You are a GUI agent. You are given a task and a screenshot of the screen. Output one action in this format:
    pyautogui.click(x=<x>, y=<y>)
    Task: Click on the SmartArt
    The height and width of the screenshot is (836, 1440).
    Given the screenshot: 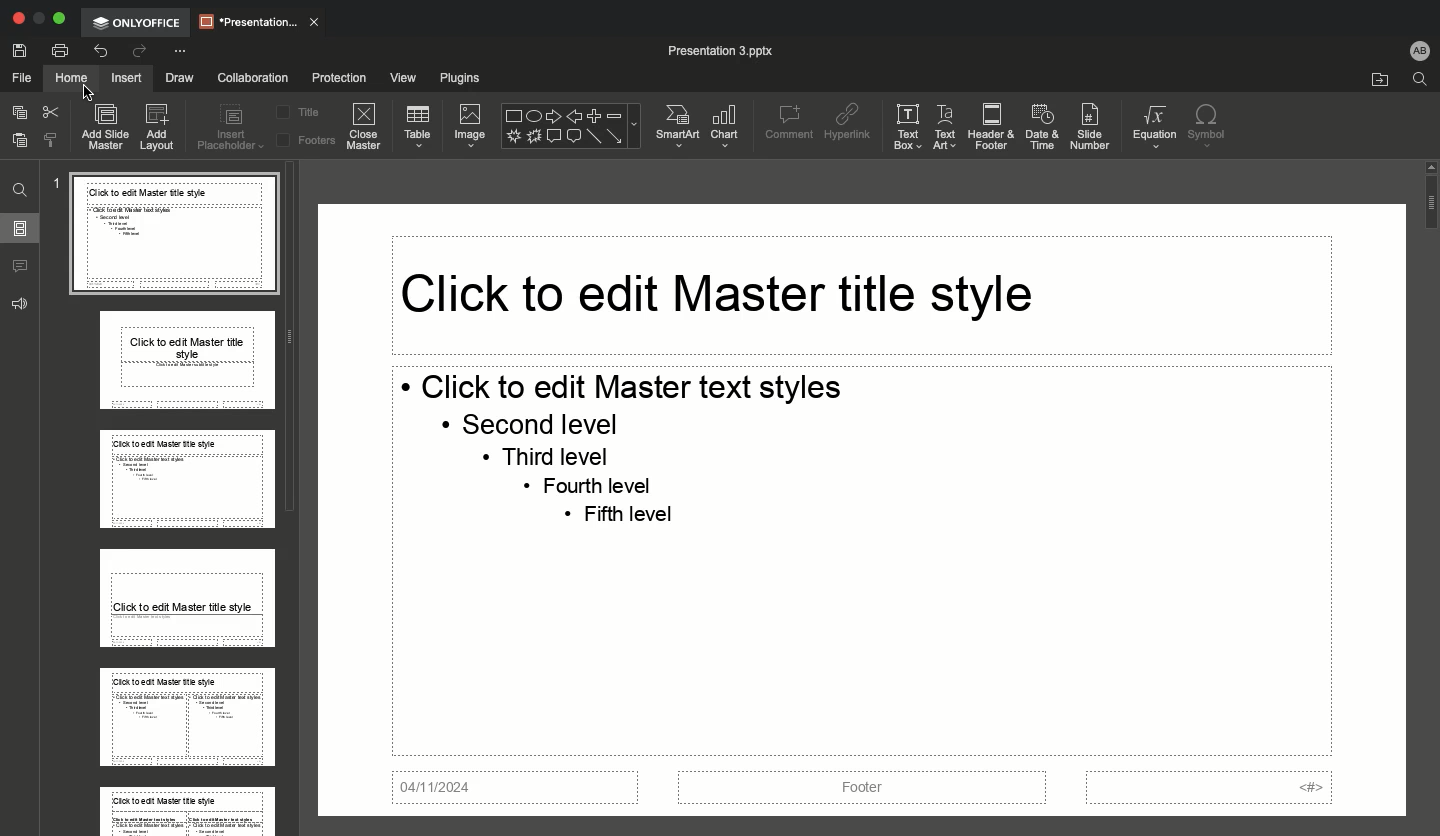 What is the action you would take?
    pyautogui.click(x=678, y=122)
    